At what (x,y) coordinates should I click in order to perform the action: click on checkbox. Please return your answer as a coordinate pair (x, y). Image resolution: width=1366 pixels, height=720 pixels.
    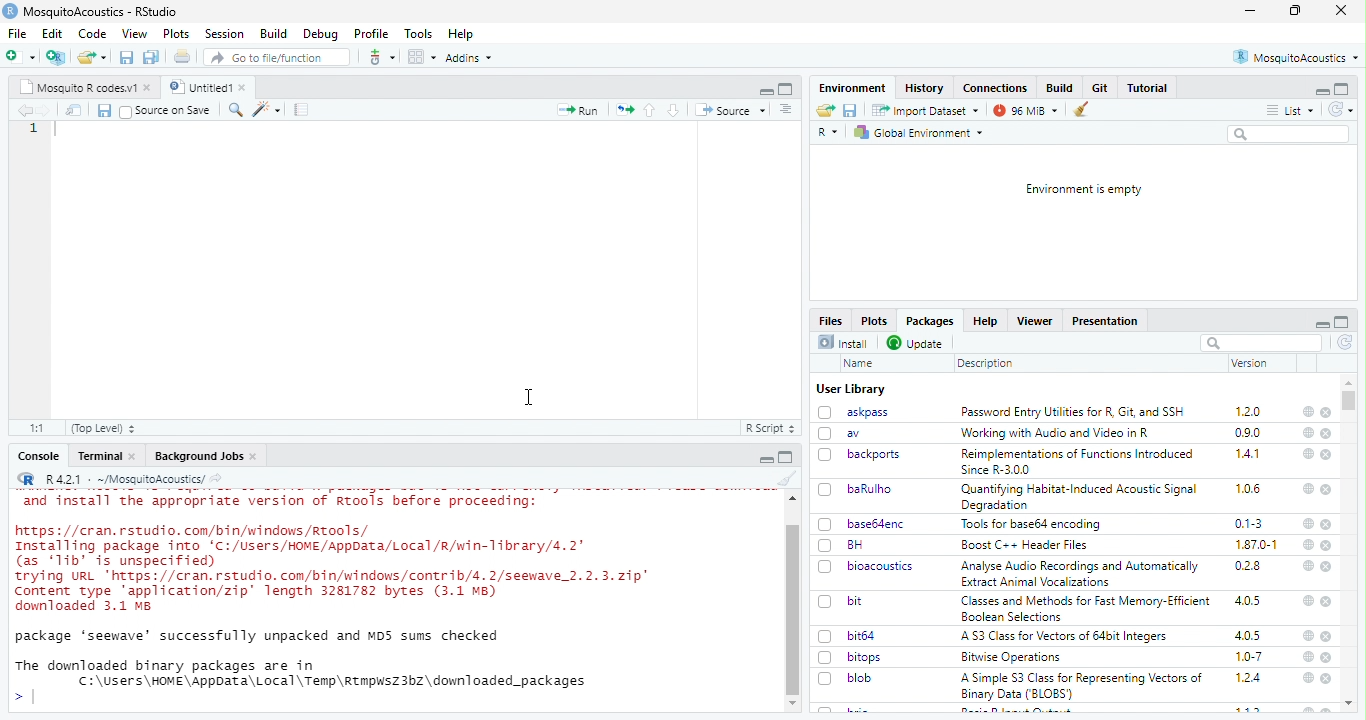
    Looking at the image, I should click on (826, 546).